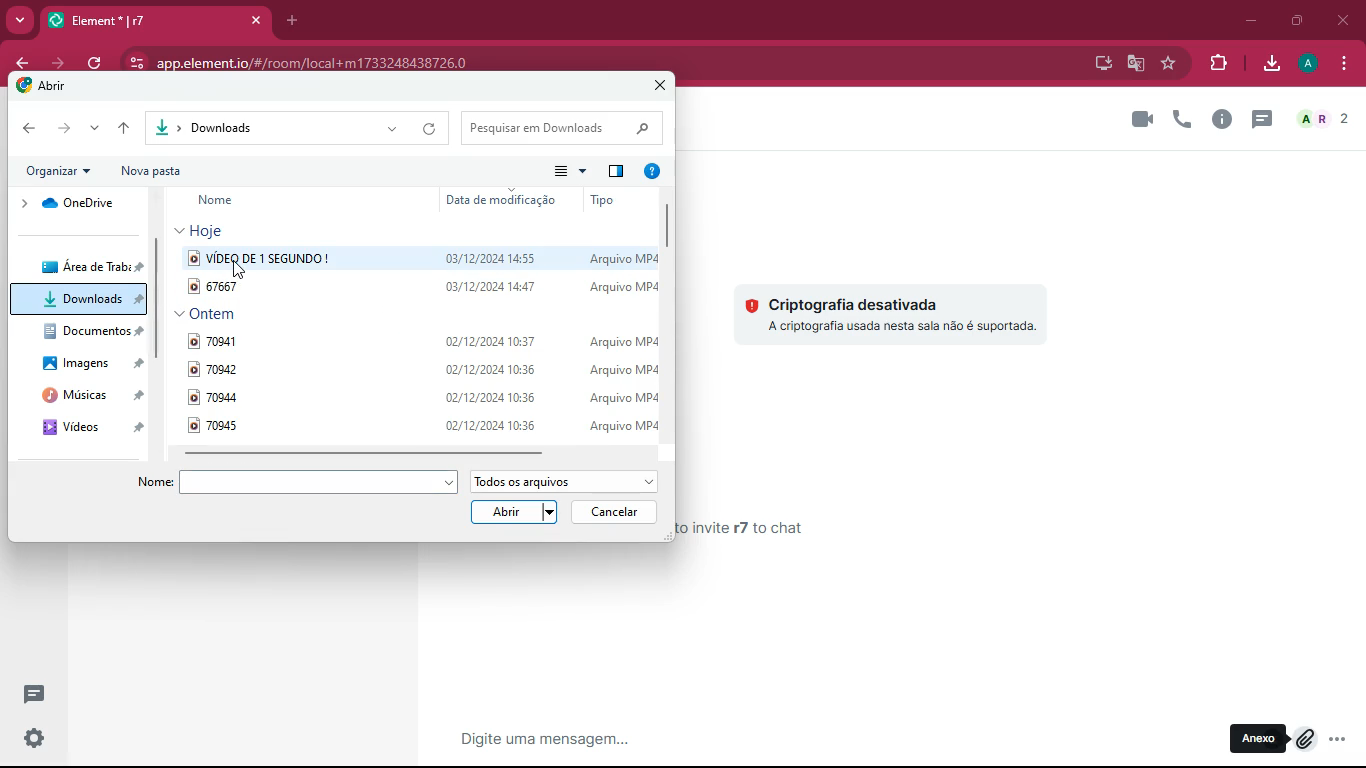 The image size is (1366, 768). What do you see at coordinates (1258, 120) in the screenshot?
I see `new message` at bounding box center [1258, 120].